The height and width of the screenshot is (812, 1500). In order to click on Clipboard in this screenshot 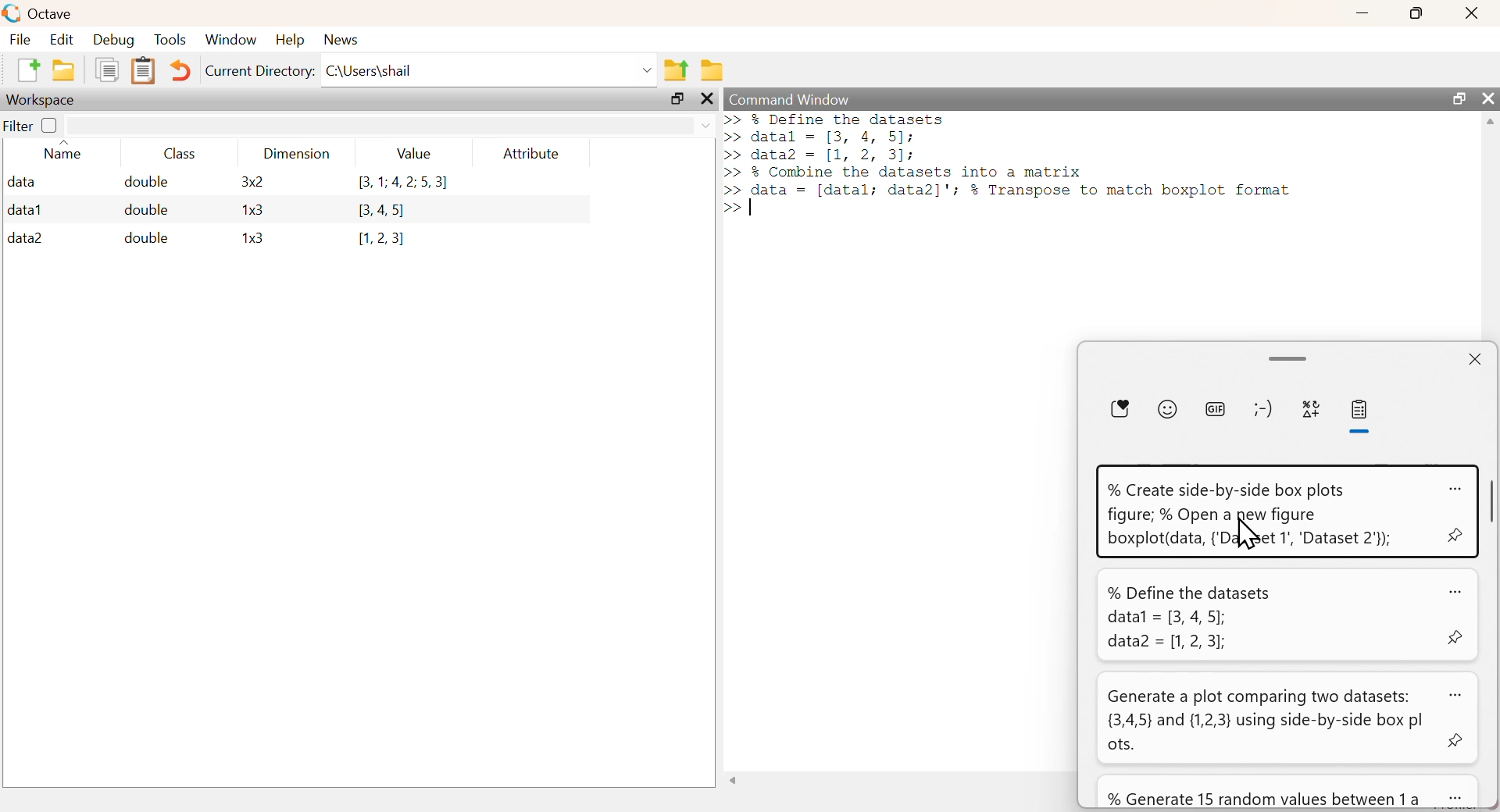, I will do `click(143, 71)`.